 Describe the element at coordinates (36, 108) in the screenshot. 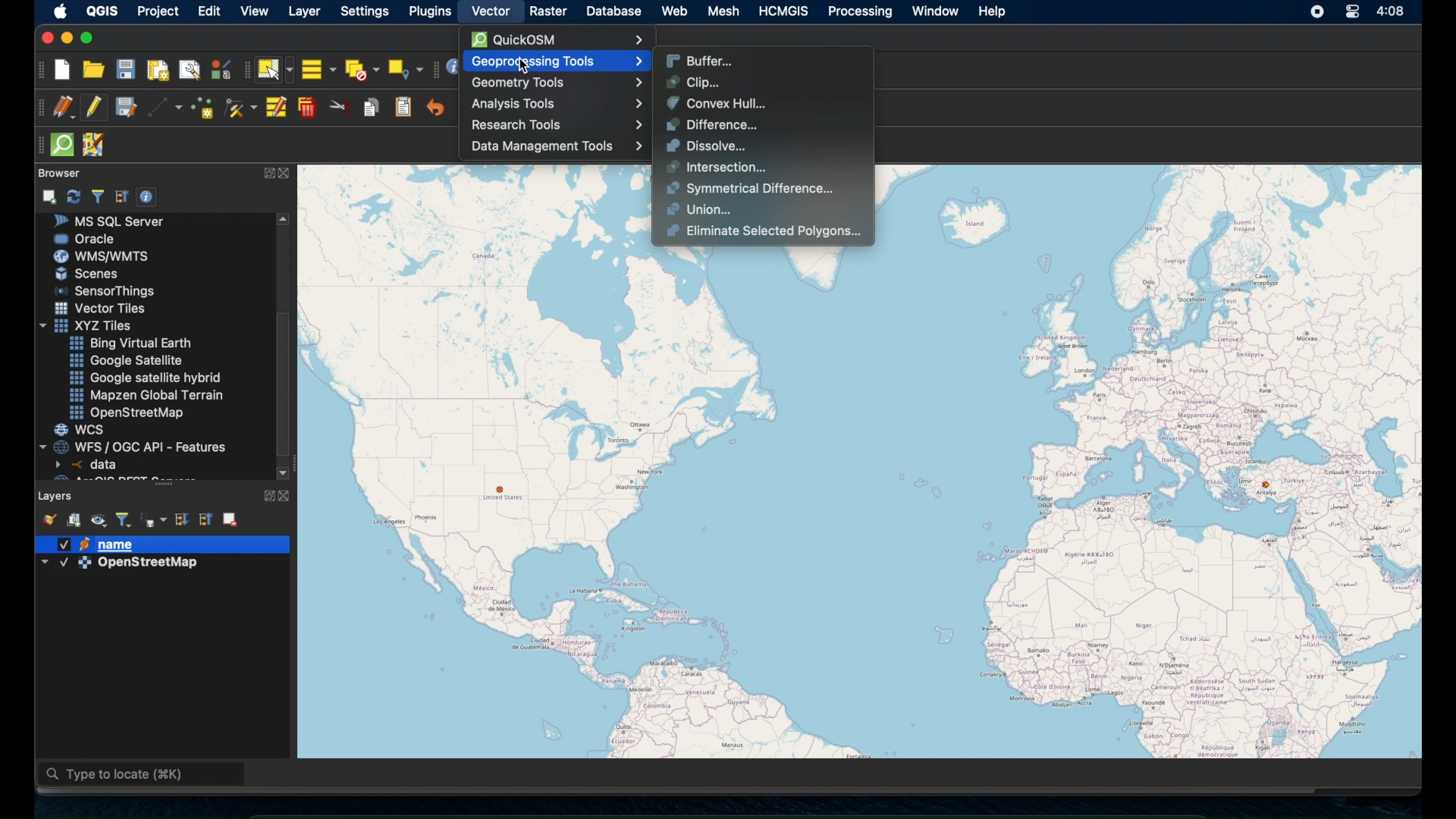

I see `digitizing toolbar` at that location.